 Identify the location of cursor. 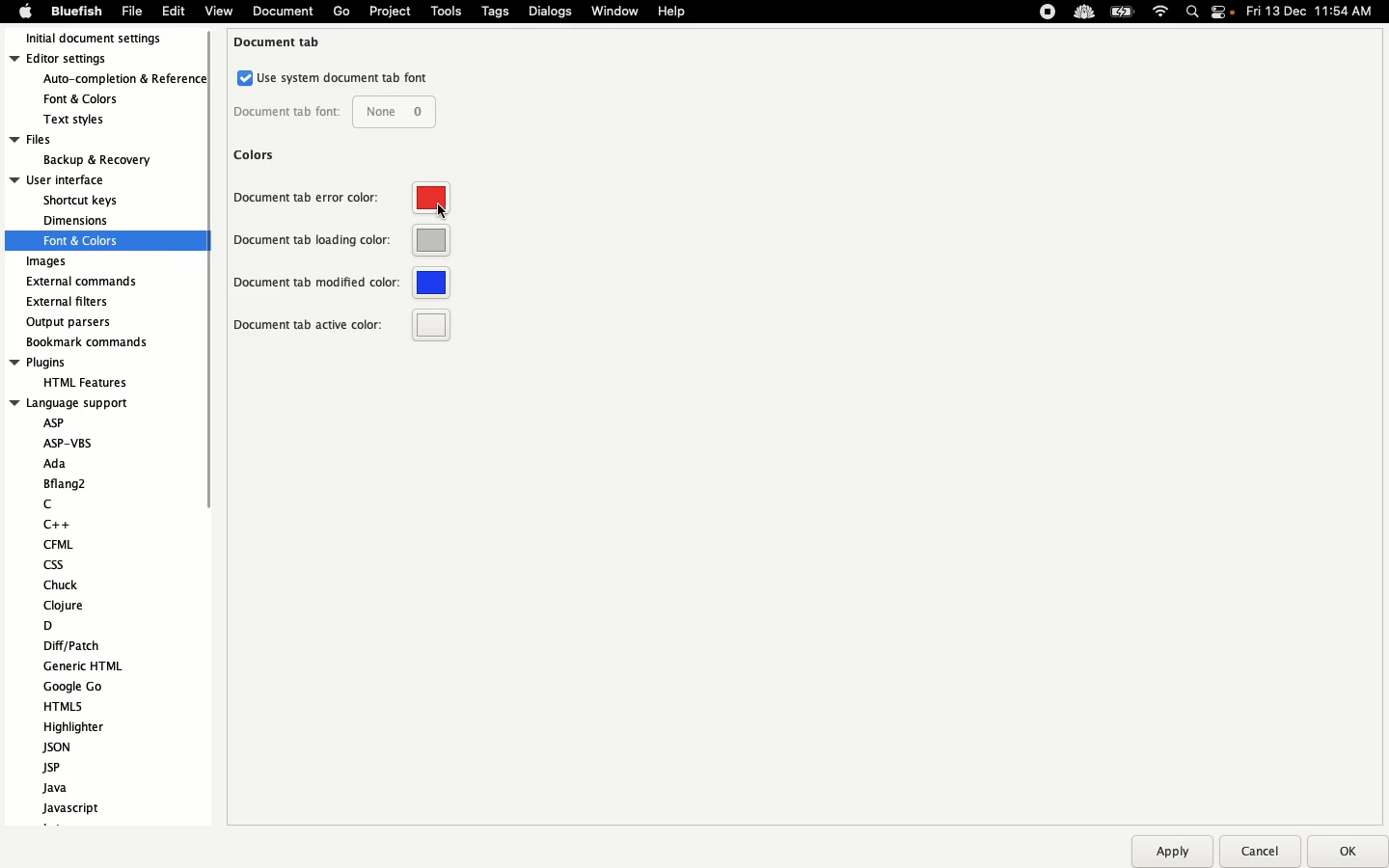
(441, 211).